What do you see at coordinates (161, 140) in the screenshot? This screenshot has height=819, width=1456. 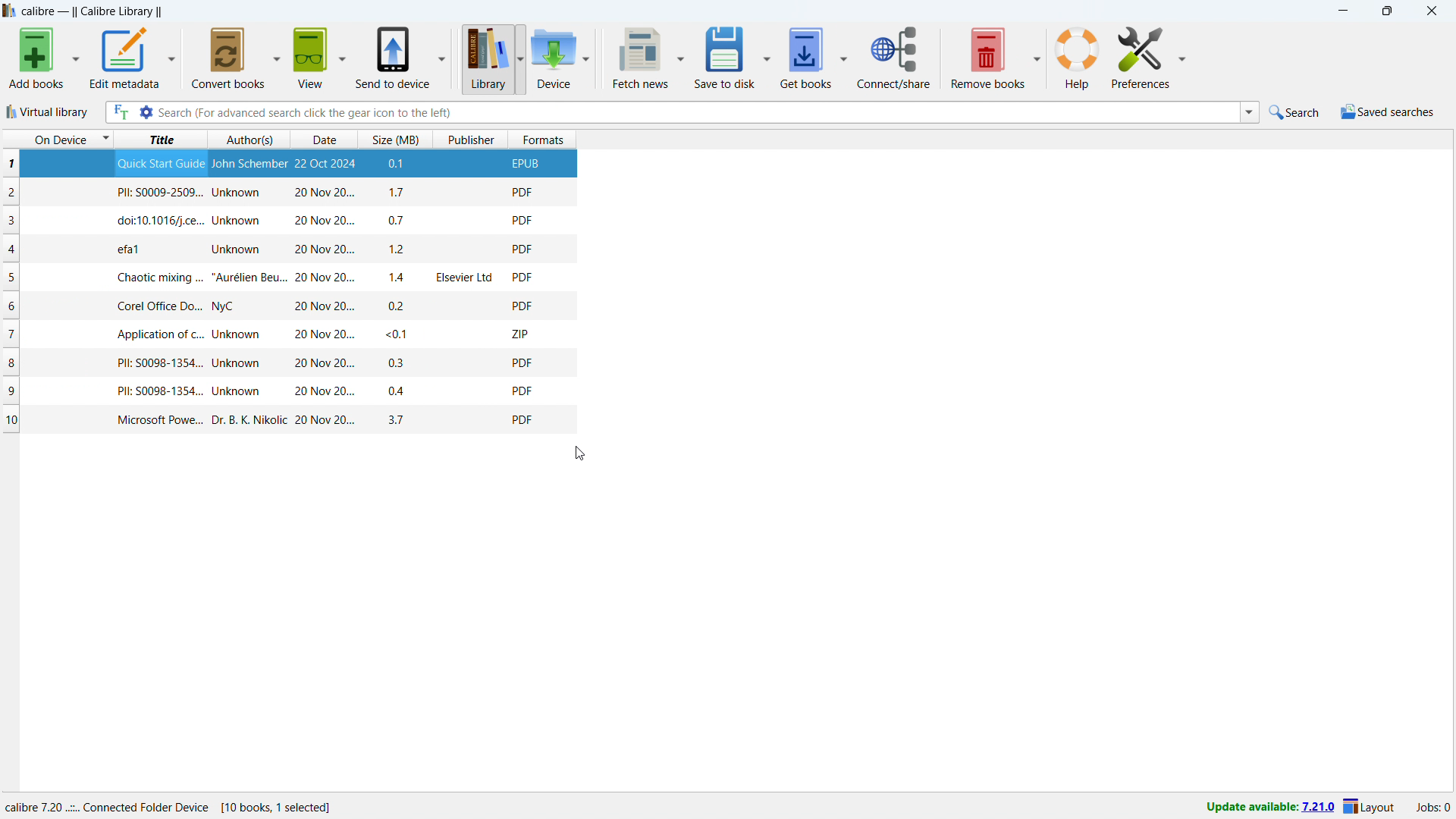 I see `sort by title` at bounding box center [161, 140].